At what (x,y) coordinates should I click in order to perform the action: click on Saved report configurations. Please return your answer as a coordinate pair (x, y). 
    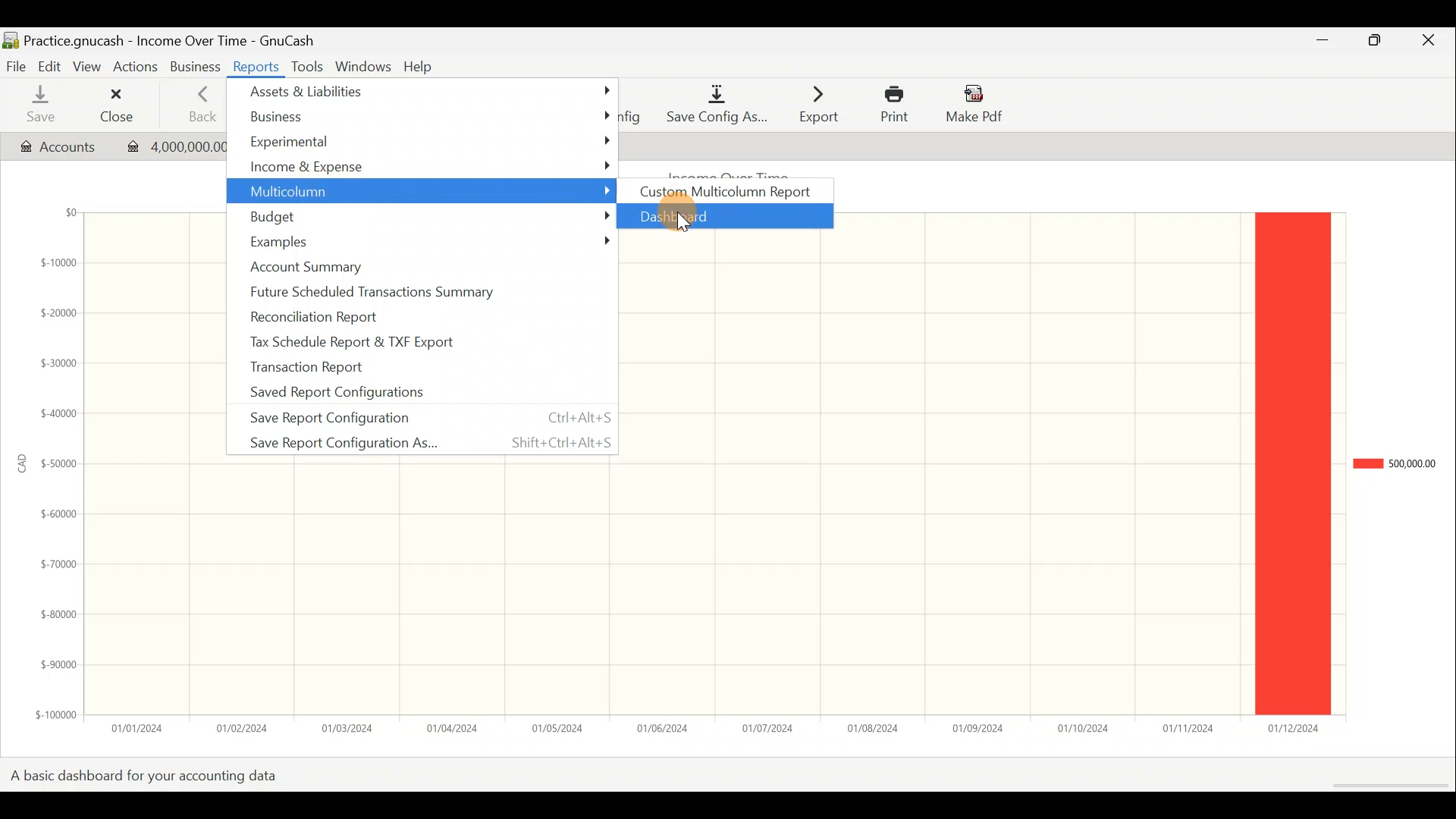
    Looking at the image, I should click on (421, 394).